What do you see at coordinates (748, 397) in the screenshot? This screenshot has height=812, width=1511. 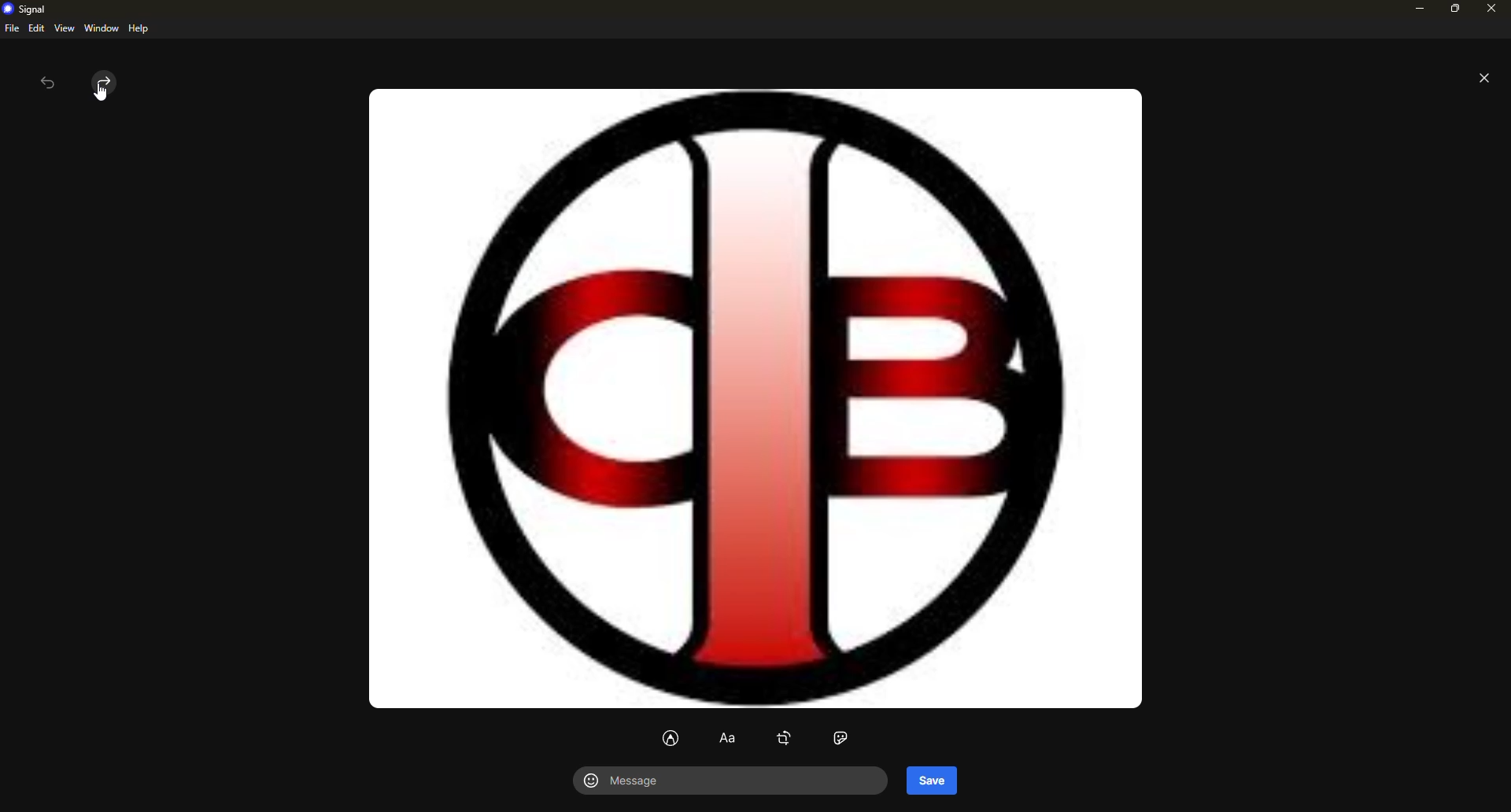 I see `image` at bounding box center [748, 397].